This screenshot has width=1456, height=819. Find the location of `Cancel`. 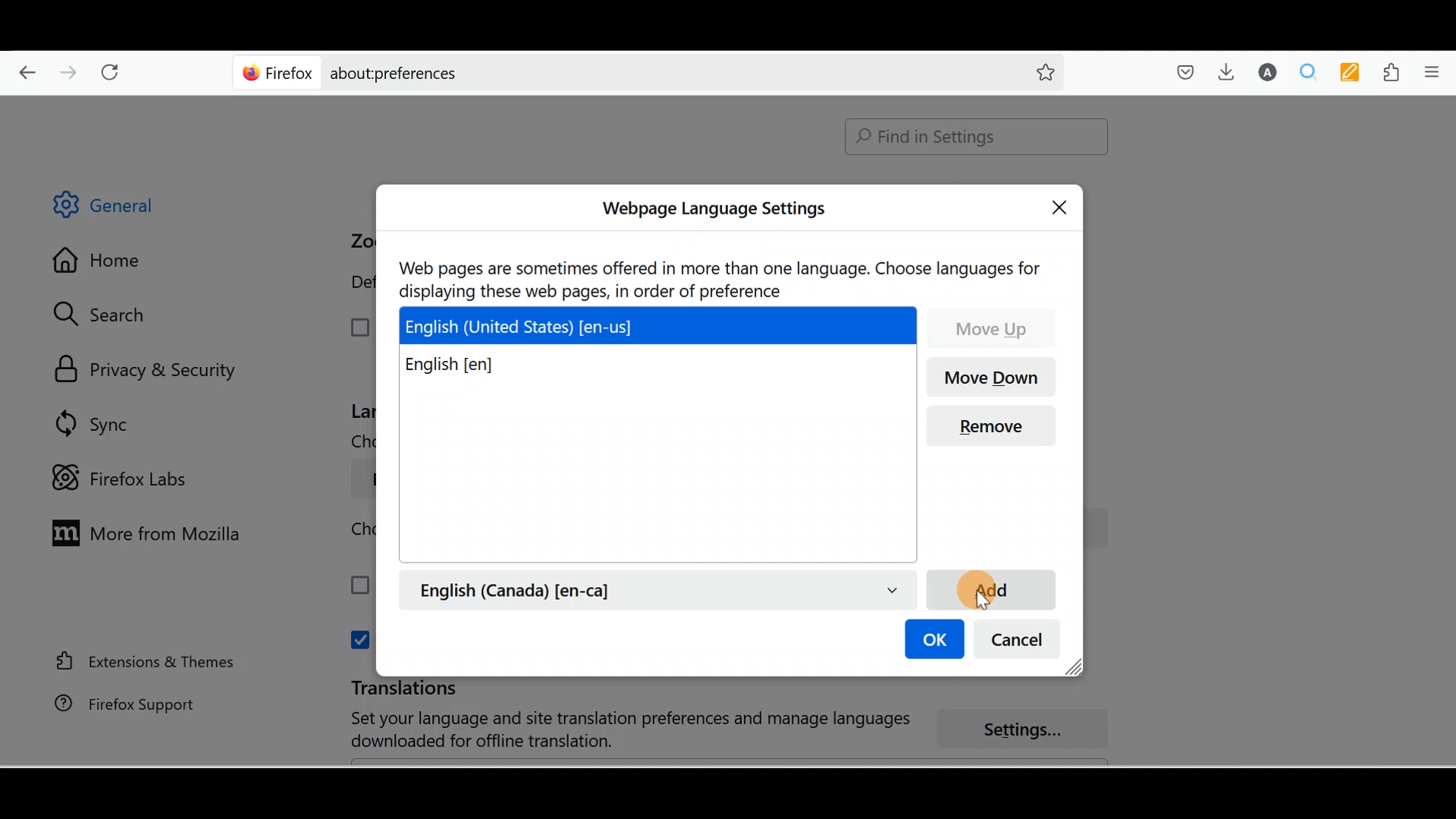

Cancel is located at coordinates (1021, 643).